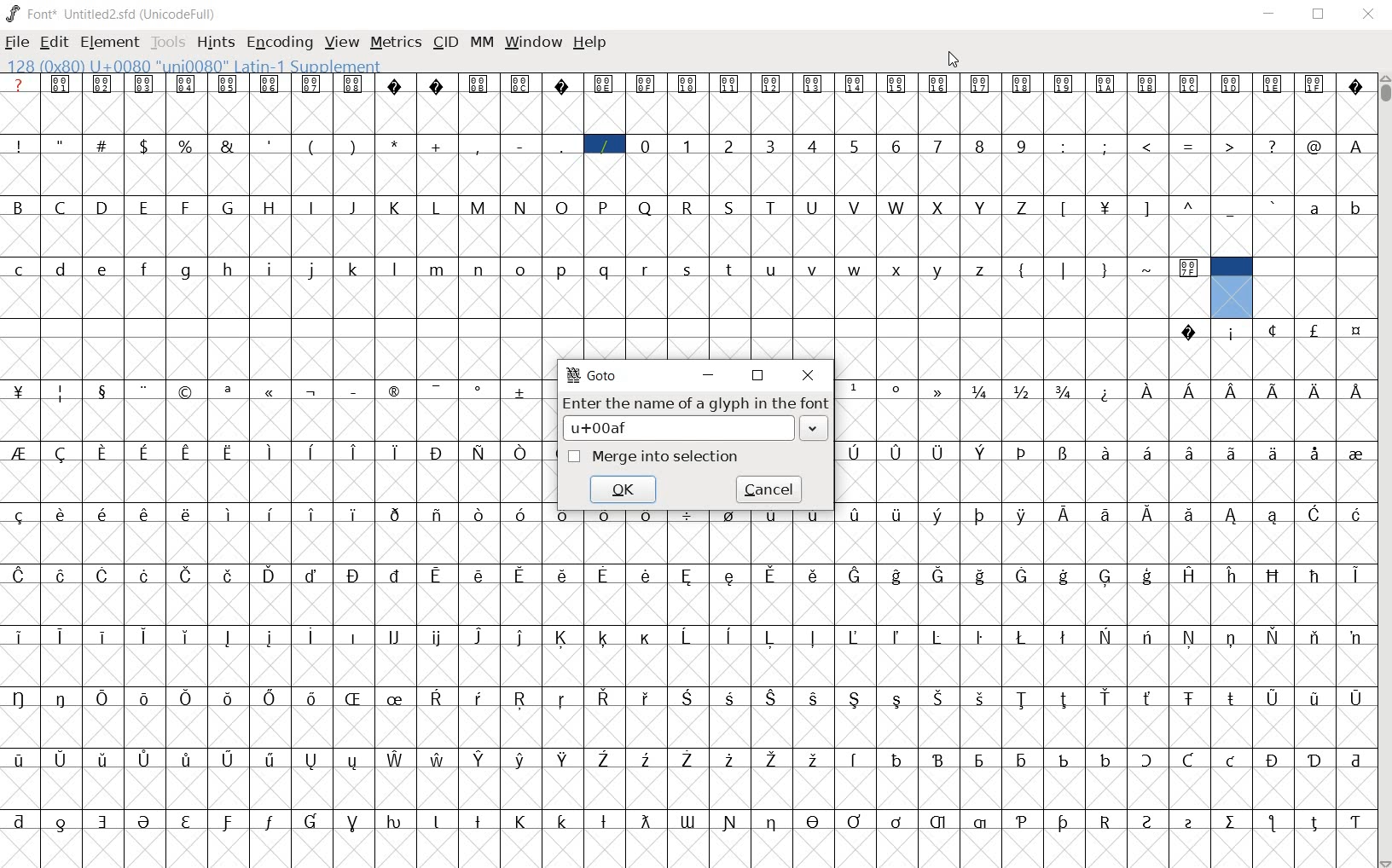  What do you see at coordinates (230, 638) in the screenshot?
I see `Symbol` at bounding box center [230, 638].